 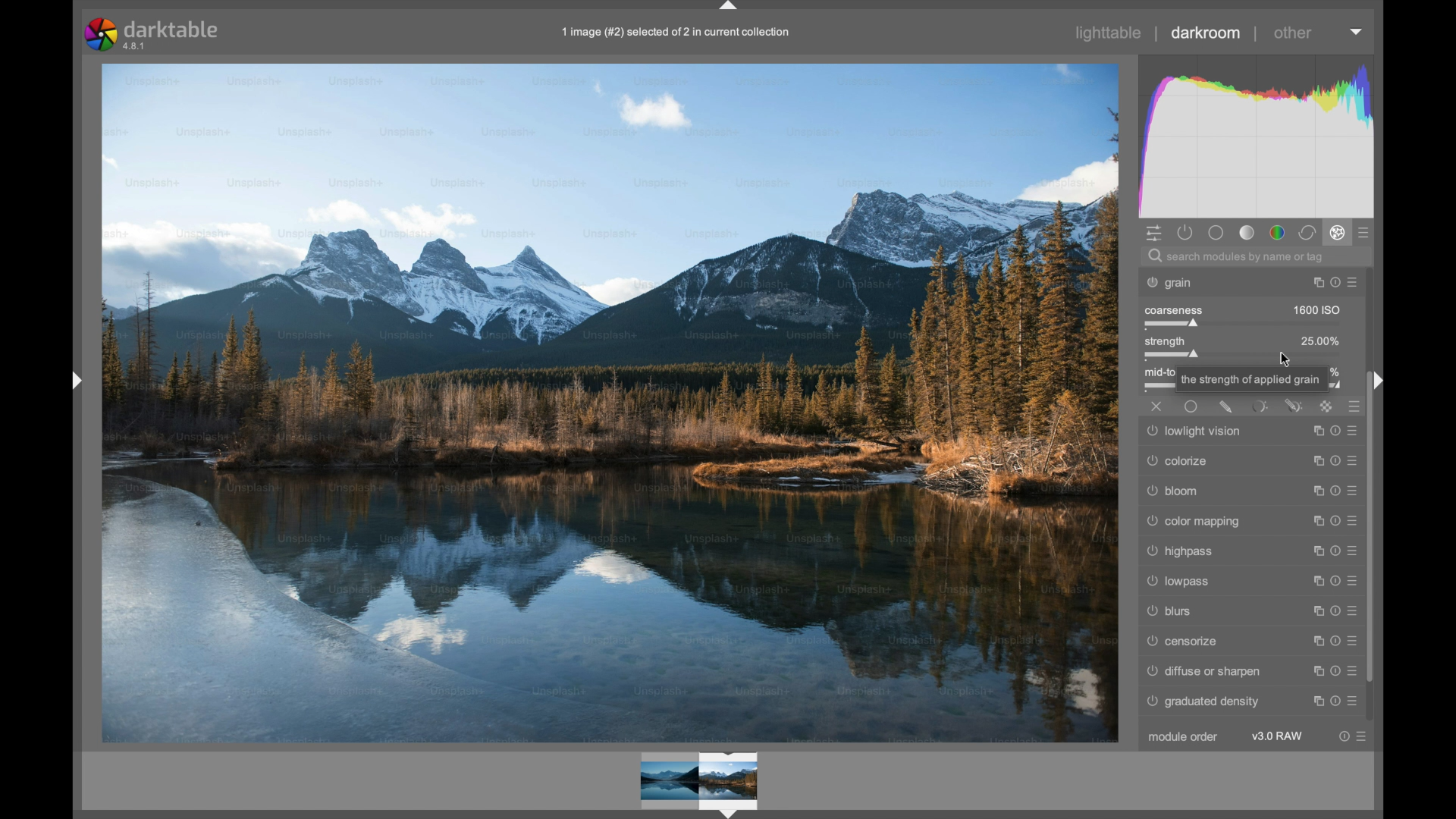 What do you see at coordinates (1291, 33) in the screenshot?
I see `other` at bounding box center [1291, 33].